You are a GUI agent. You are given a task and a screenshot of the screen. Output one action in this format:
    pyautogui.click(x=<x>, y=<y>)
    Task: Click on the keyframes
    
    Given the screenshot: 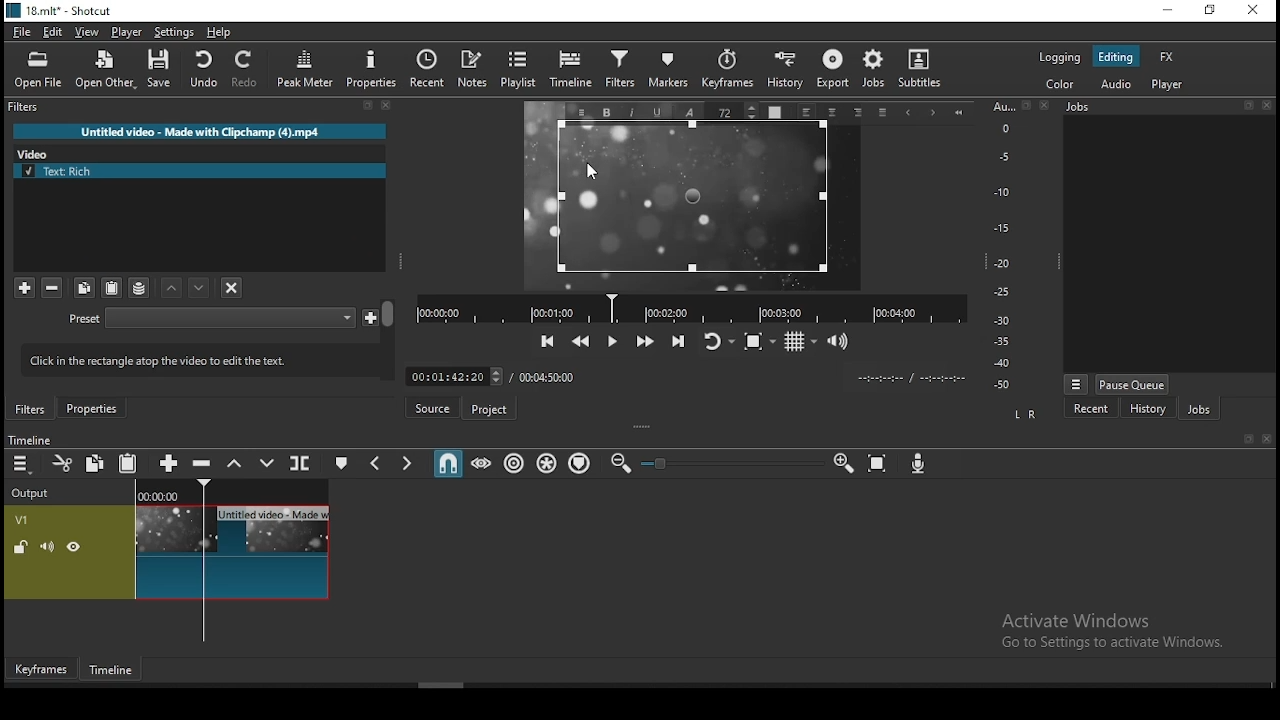 What is the action you would take?
    pyautogui.click(x=42, y=669)
    